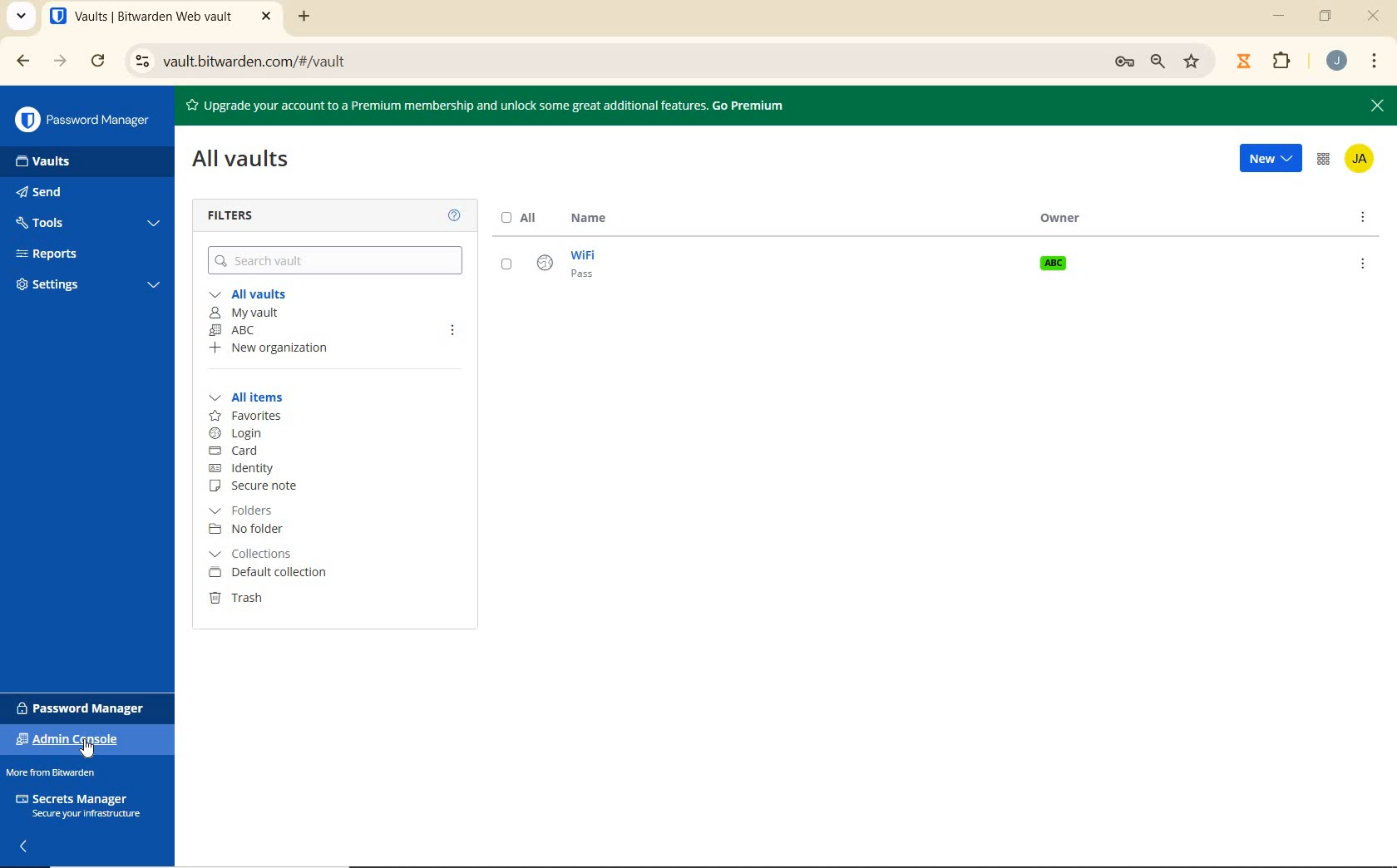  I want to click on ACCOUNT NAME, so click(1339, 61).